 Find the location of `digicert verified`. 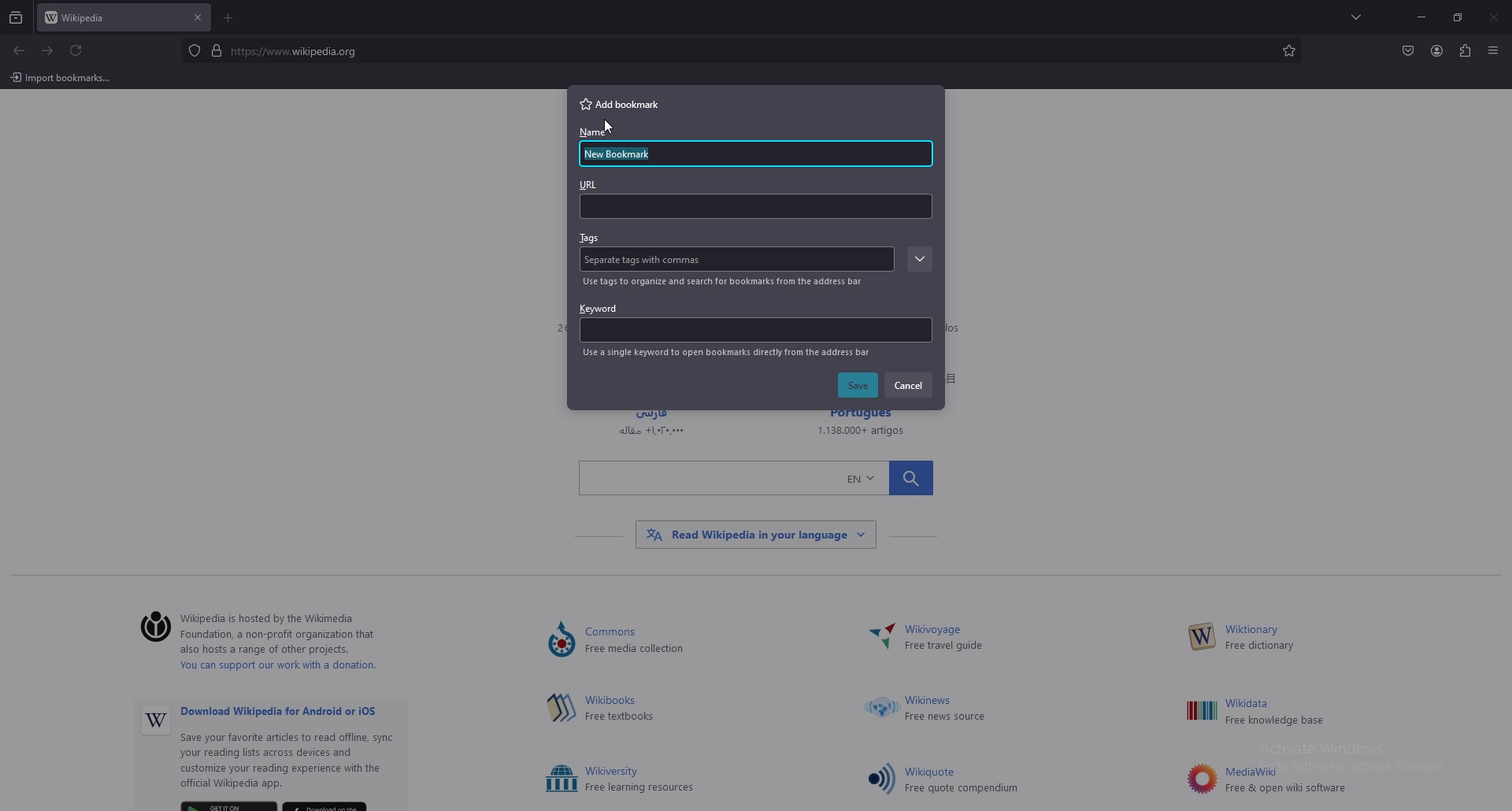

digicert verified is located at coordinates (218, 50).